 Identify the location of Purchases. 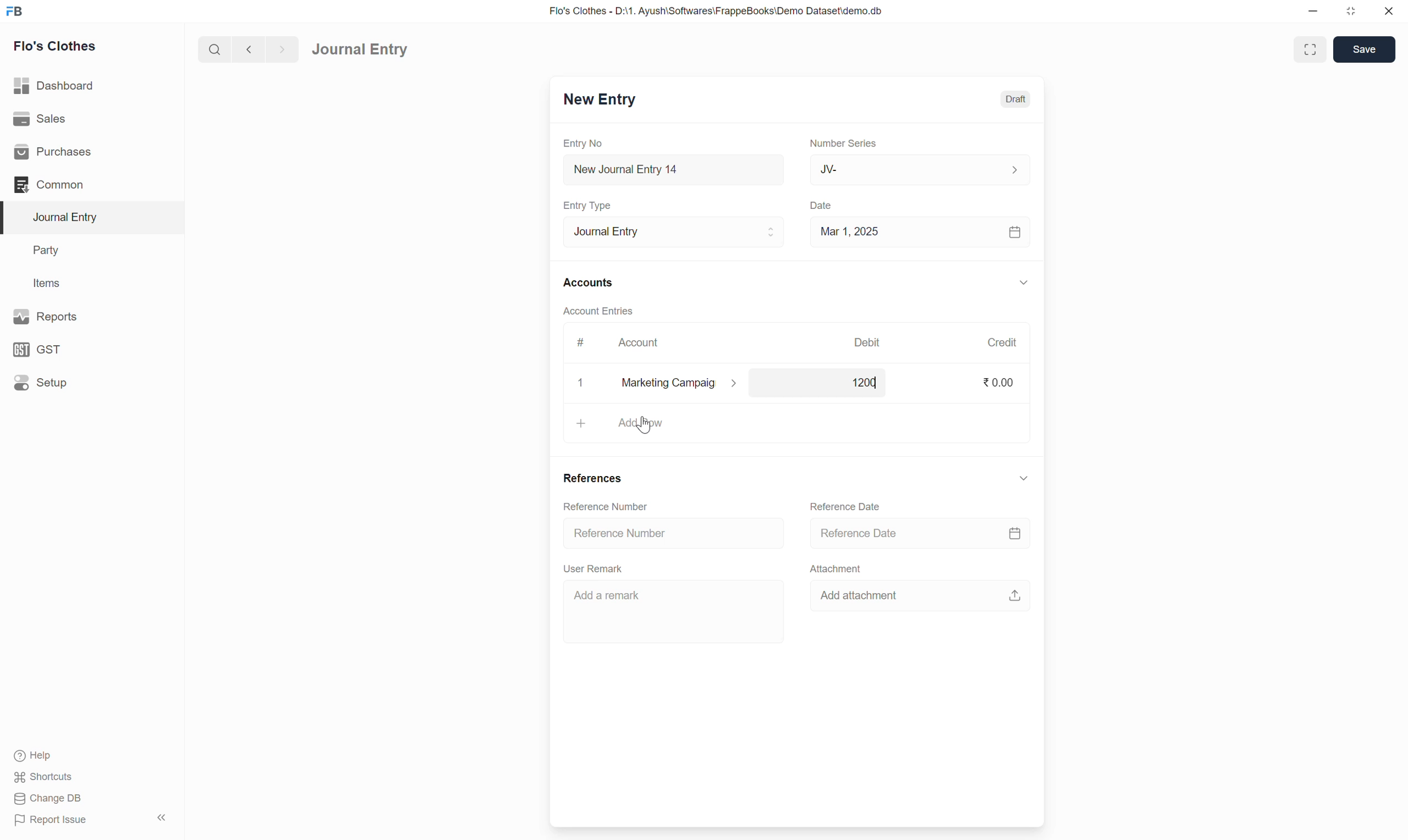
(56, 152).